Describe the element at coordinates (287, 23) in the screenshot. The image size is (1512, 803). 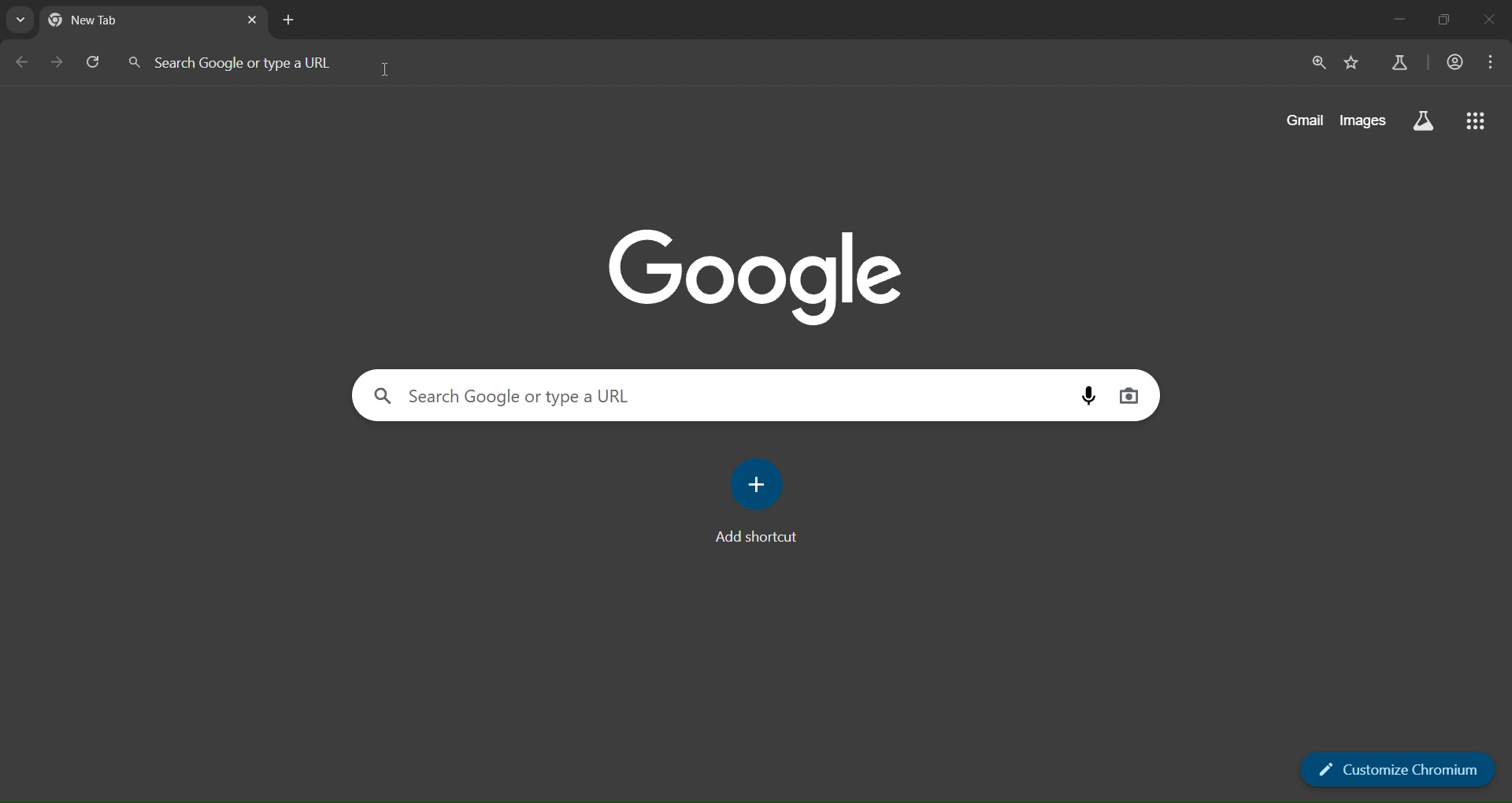
I see `add new tab` at that location.